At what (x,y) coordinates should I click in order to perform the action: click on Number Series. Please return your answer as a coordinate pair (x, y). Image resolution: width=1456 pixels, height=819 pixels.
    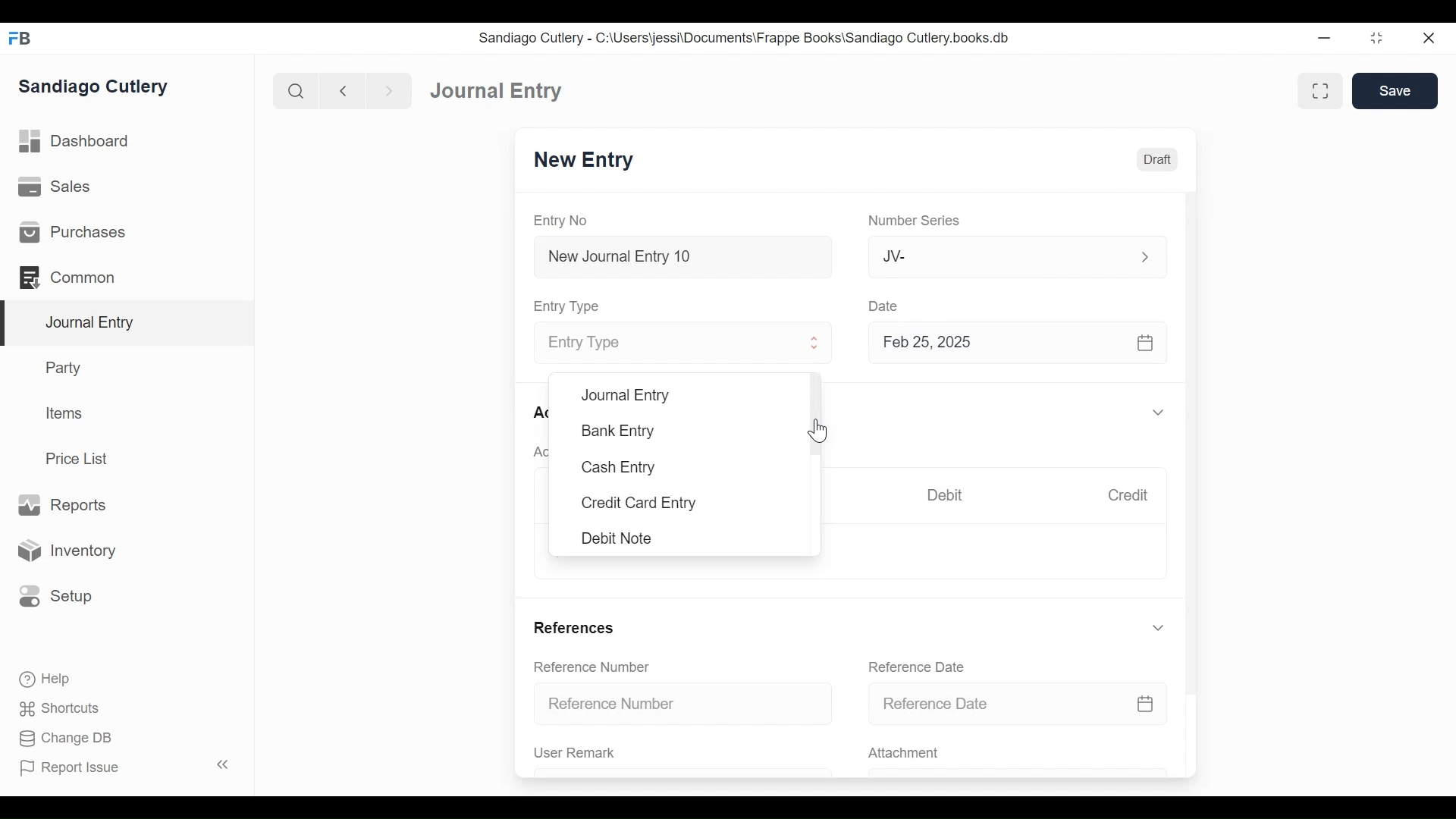
    Looking at the image, I should click on (917, 221).